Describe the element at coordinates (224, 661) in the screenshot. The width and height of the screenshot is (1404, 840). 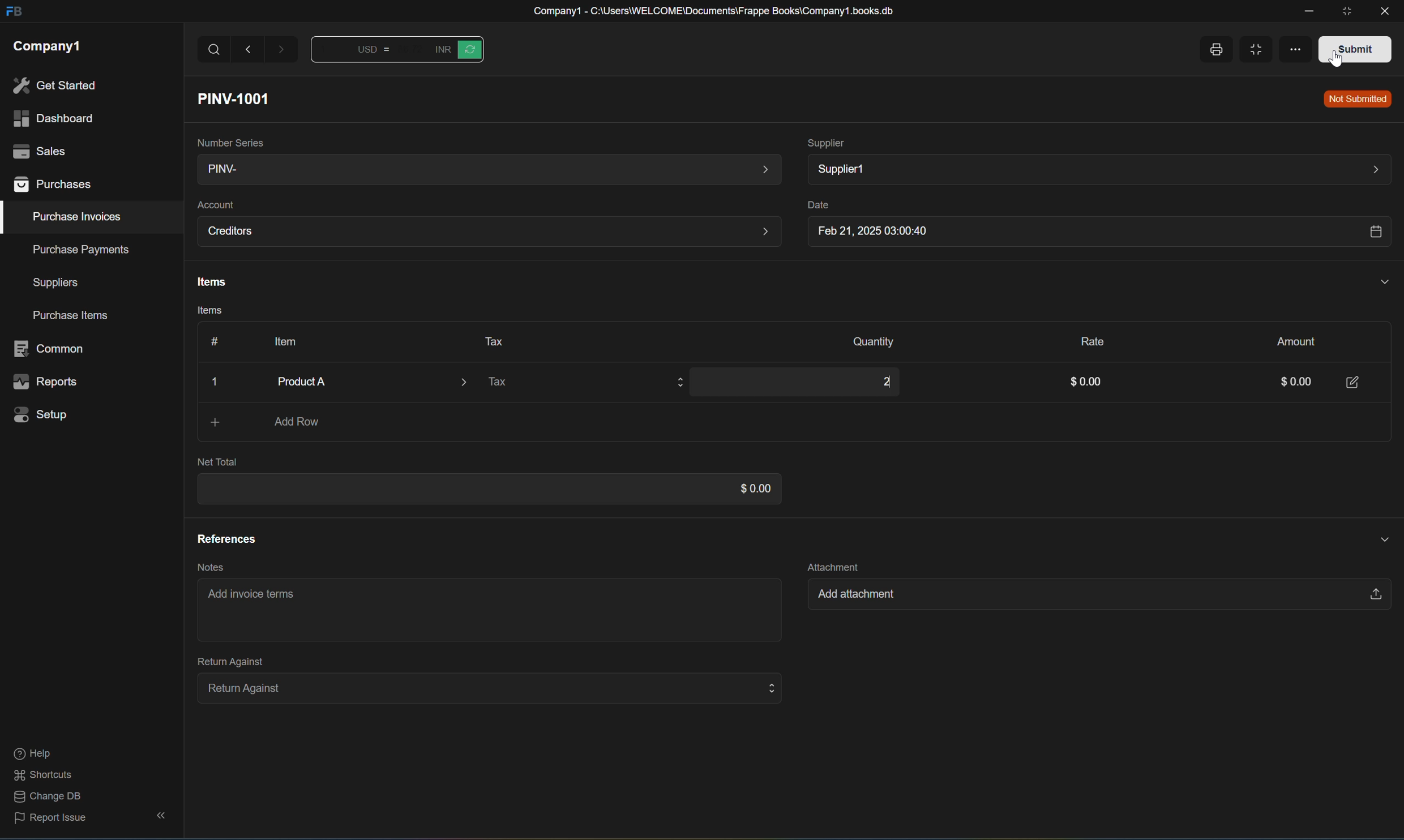
I see `Return Against` at that location.